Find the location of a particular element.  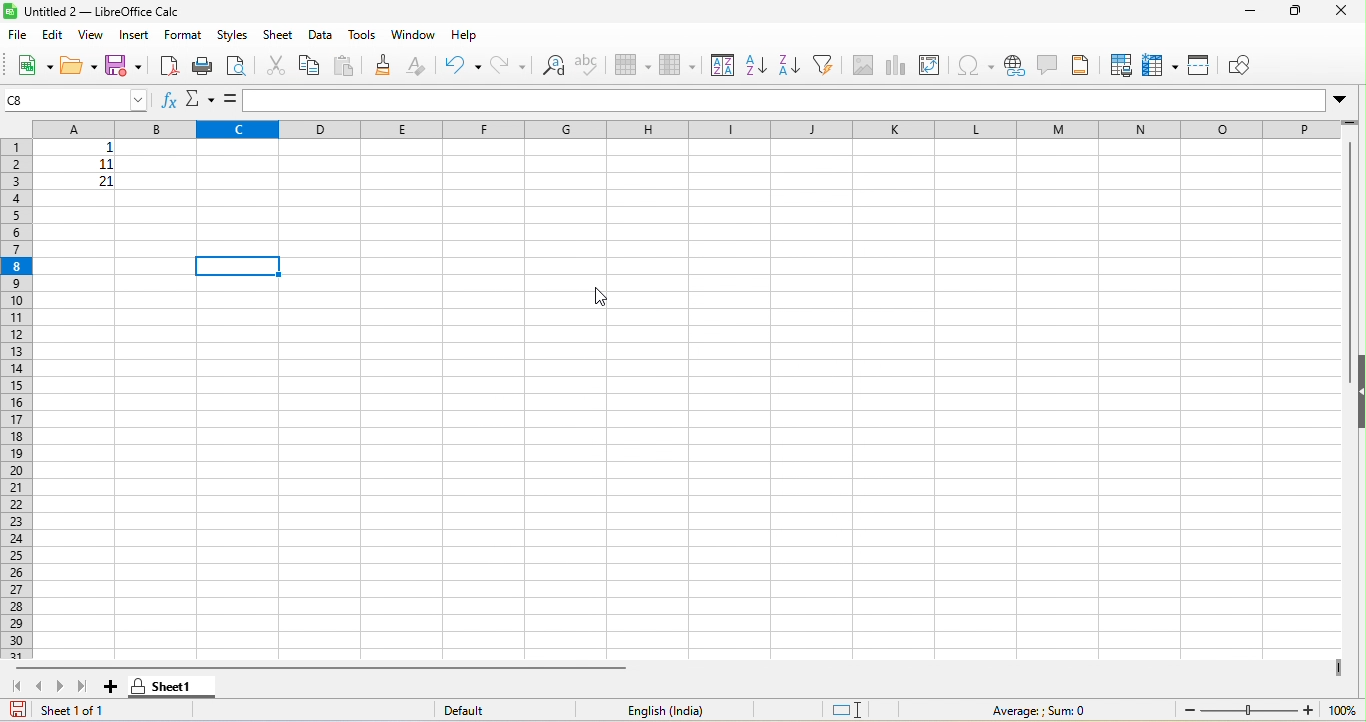

data is located at coordinates (319, 35).